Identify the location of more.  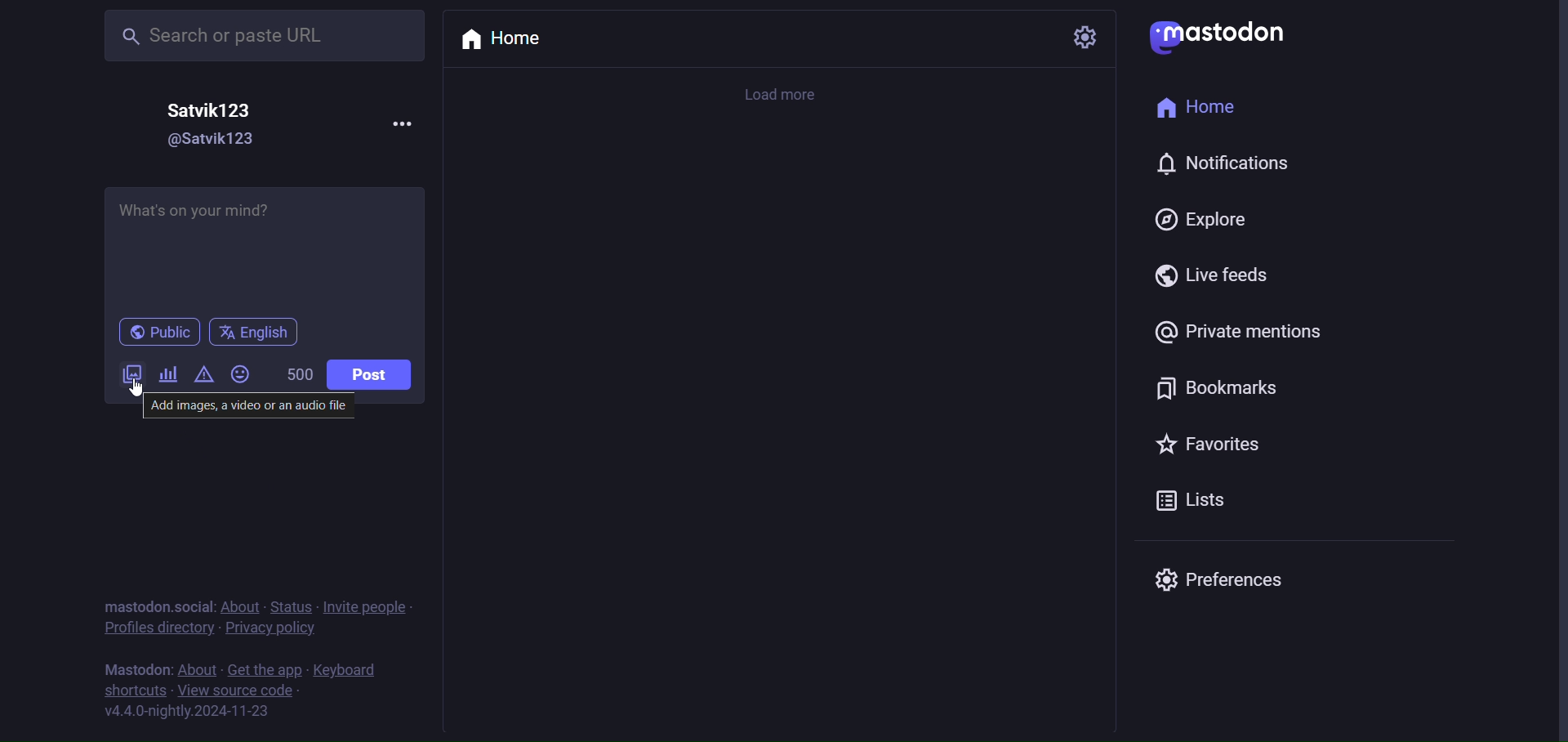
(406, 123).